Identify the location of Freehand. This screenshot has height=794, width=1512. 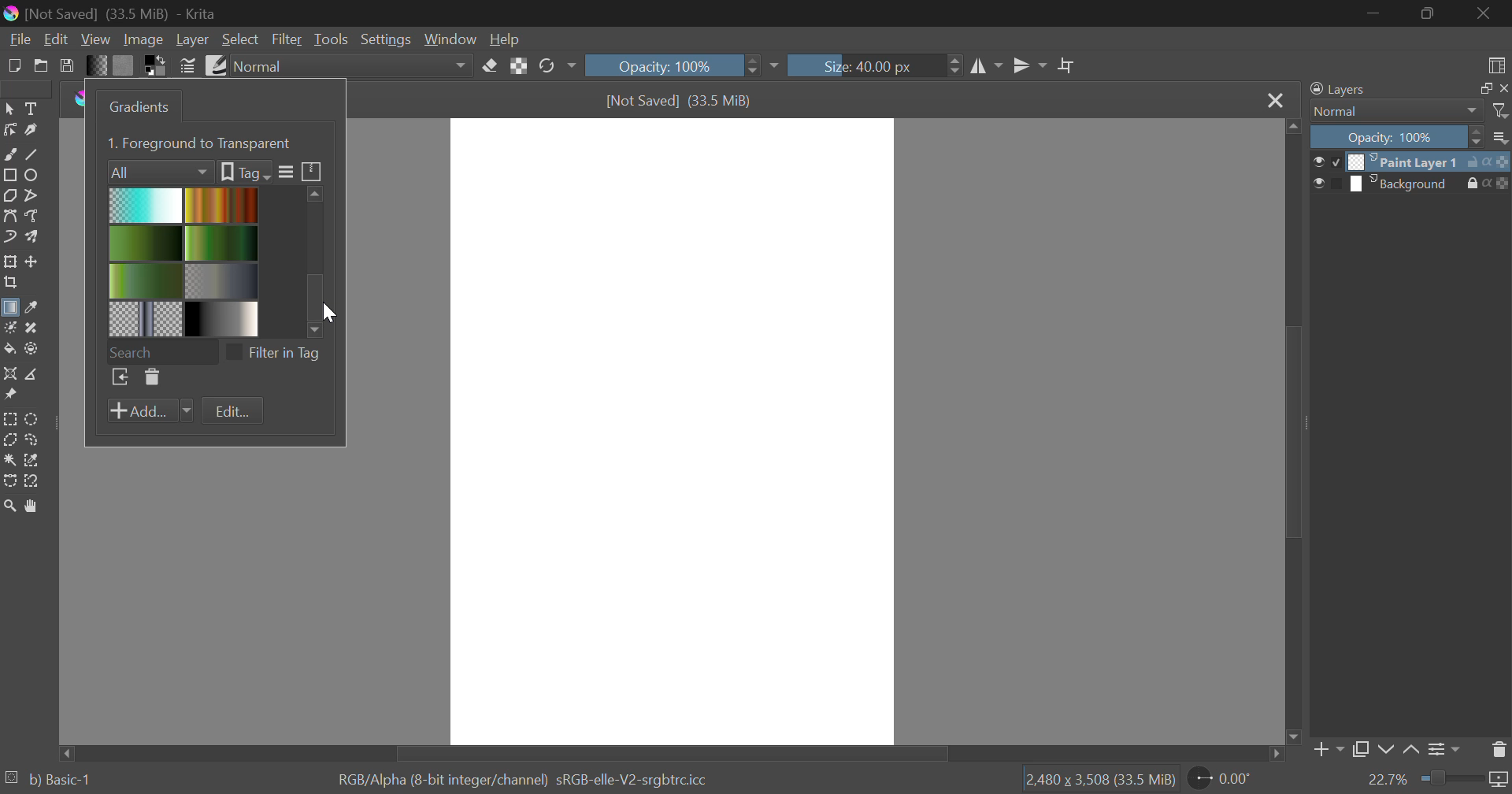
(9, 153).